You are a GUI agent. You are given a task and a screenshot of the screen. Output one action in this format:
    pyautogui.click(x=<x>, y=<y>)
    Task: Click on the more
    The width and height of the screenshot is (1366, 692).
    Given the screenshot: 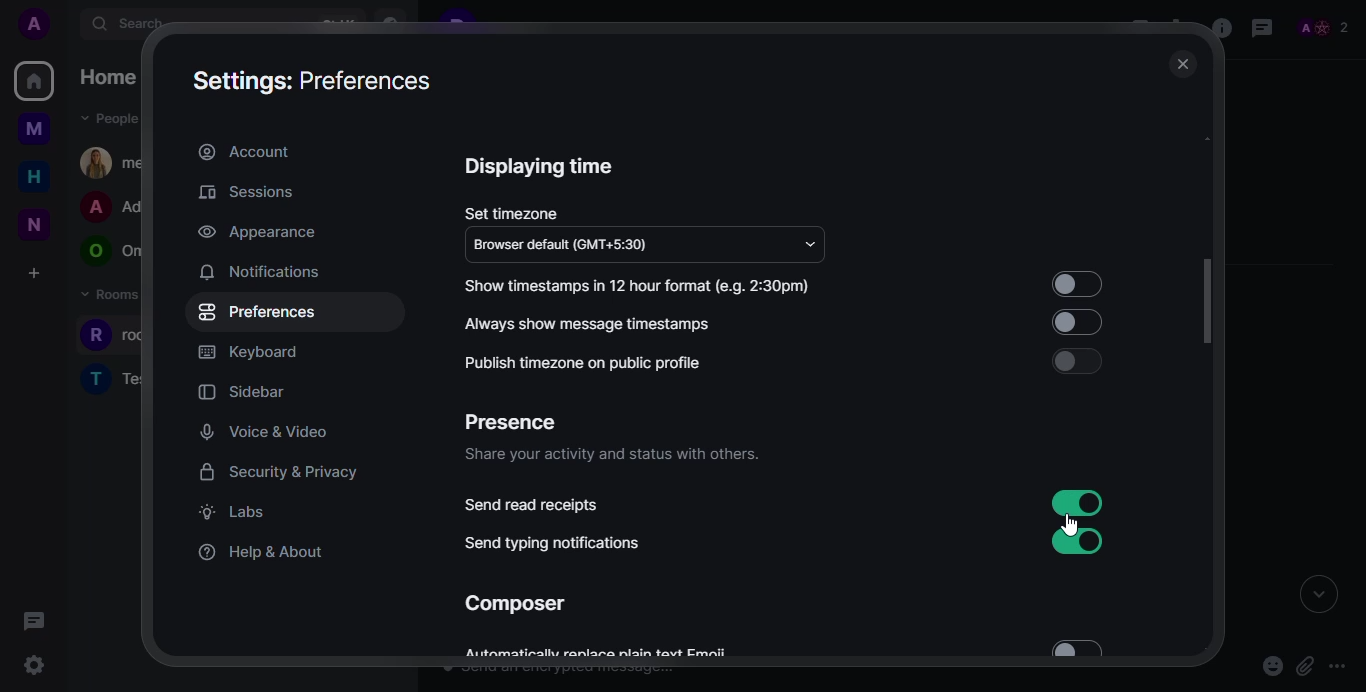 What is the action you would take?
    pyautogui.click(x=1338, y=662)
    